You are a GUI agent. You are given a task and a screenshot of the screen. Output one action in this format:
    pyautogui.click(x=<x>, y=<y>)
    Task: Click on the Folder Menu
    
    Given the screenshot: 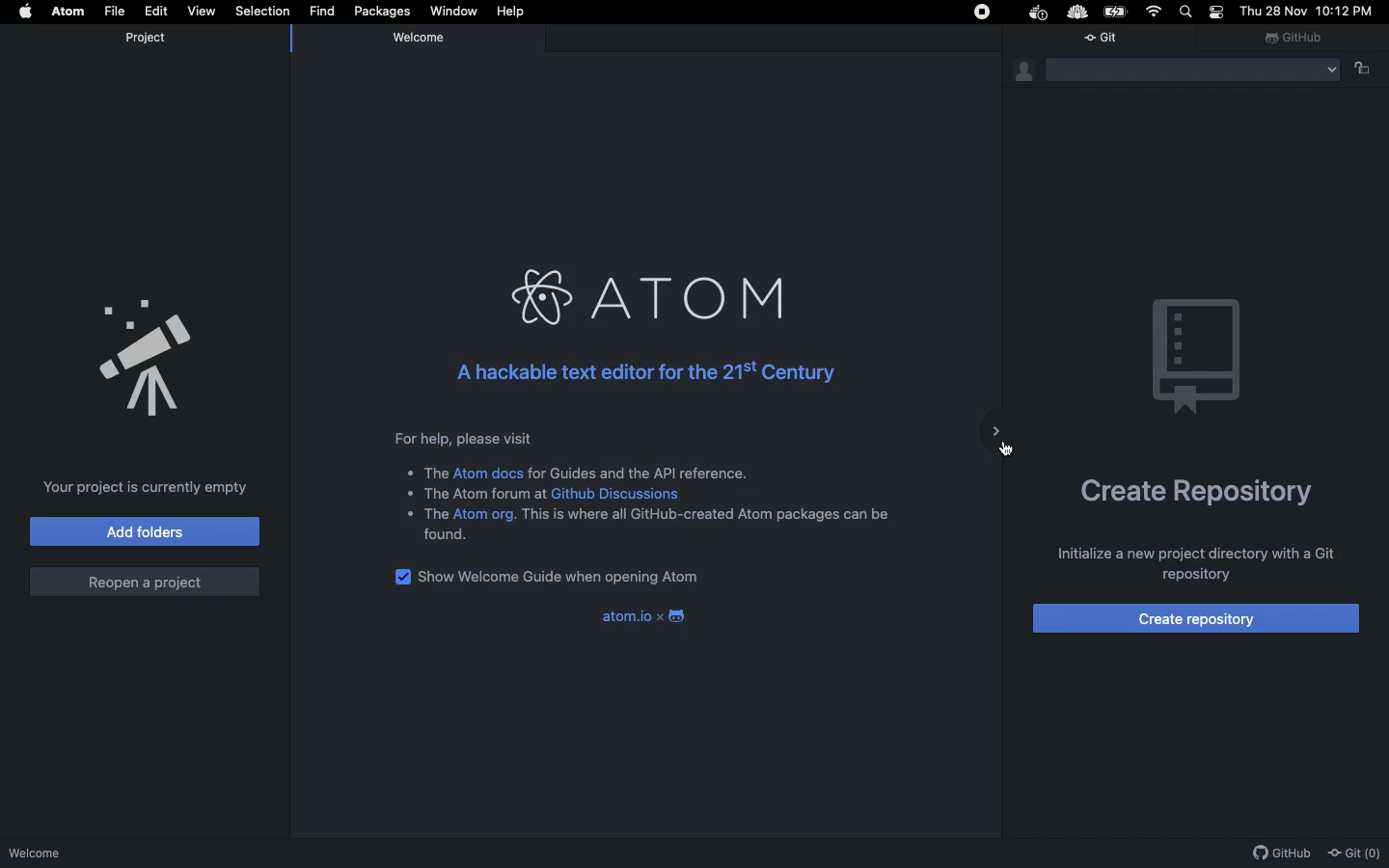 What is the action you would take?
    pyautogui.click(x=1194, y=74)
    